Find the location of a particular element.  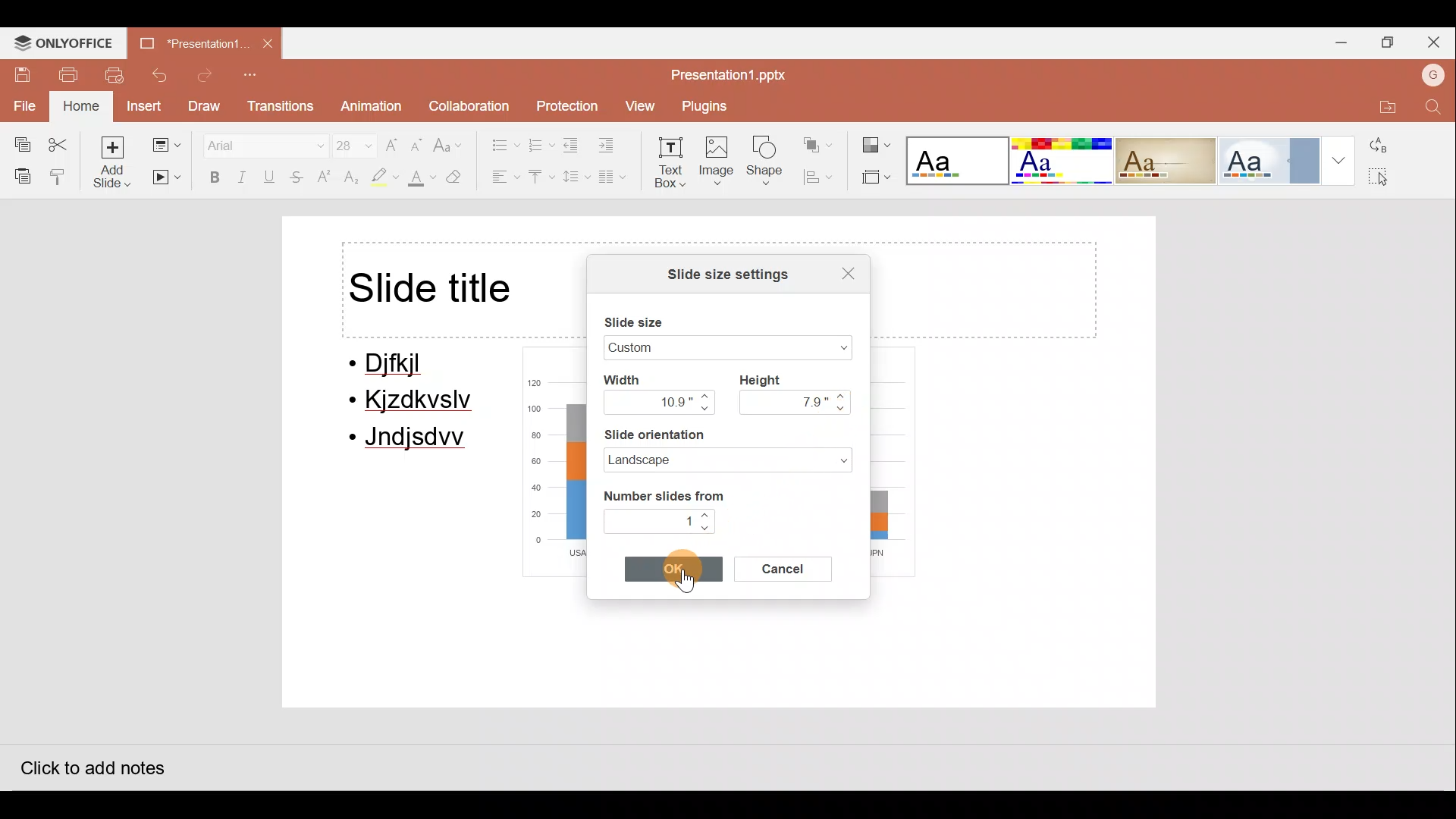

Presentation1.pptx is located at coordinates (726, 73).